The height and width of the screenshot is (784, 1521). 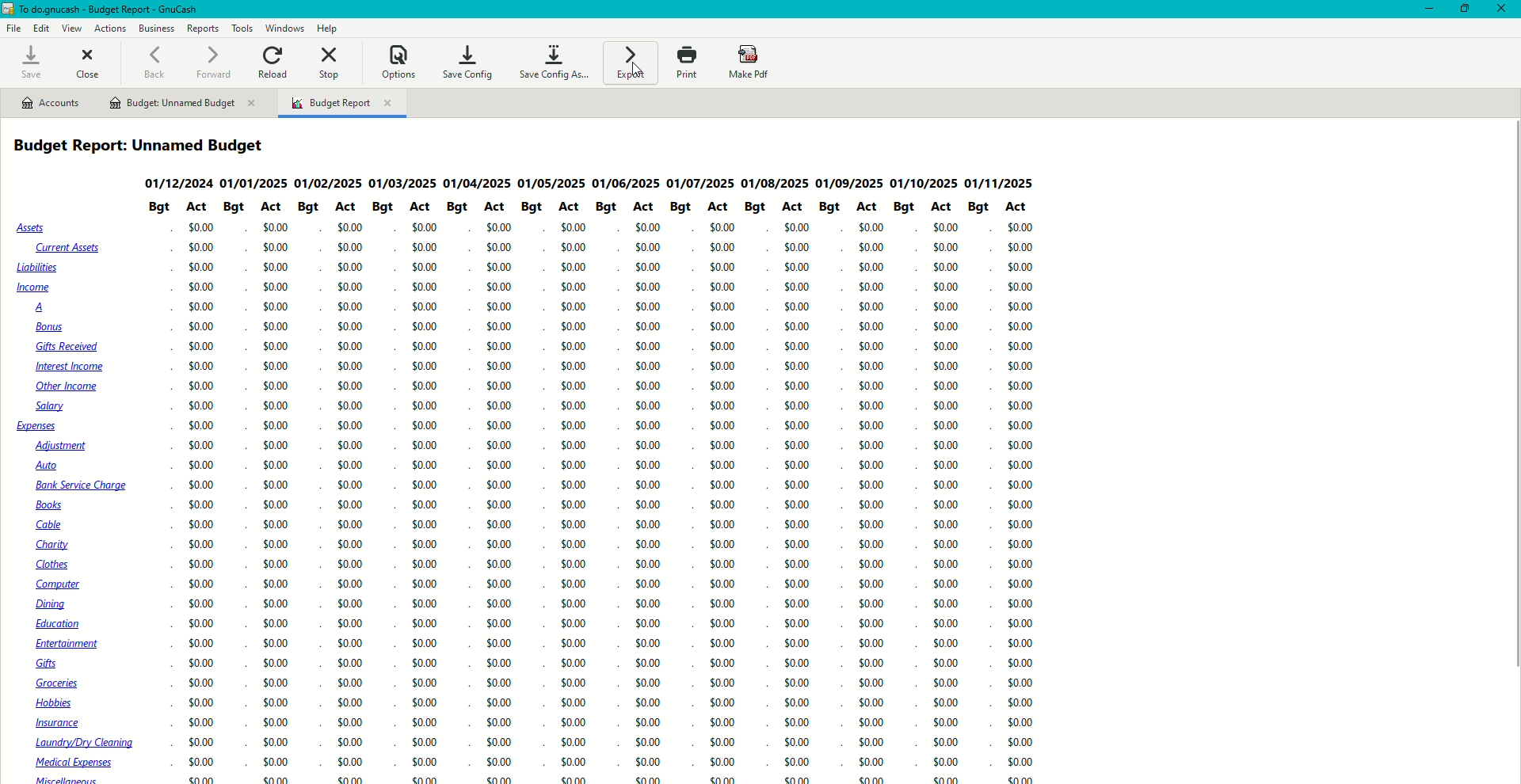 I want to click on $0.00, so click(x=350, y=426).